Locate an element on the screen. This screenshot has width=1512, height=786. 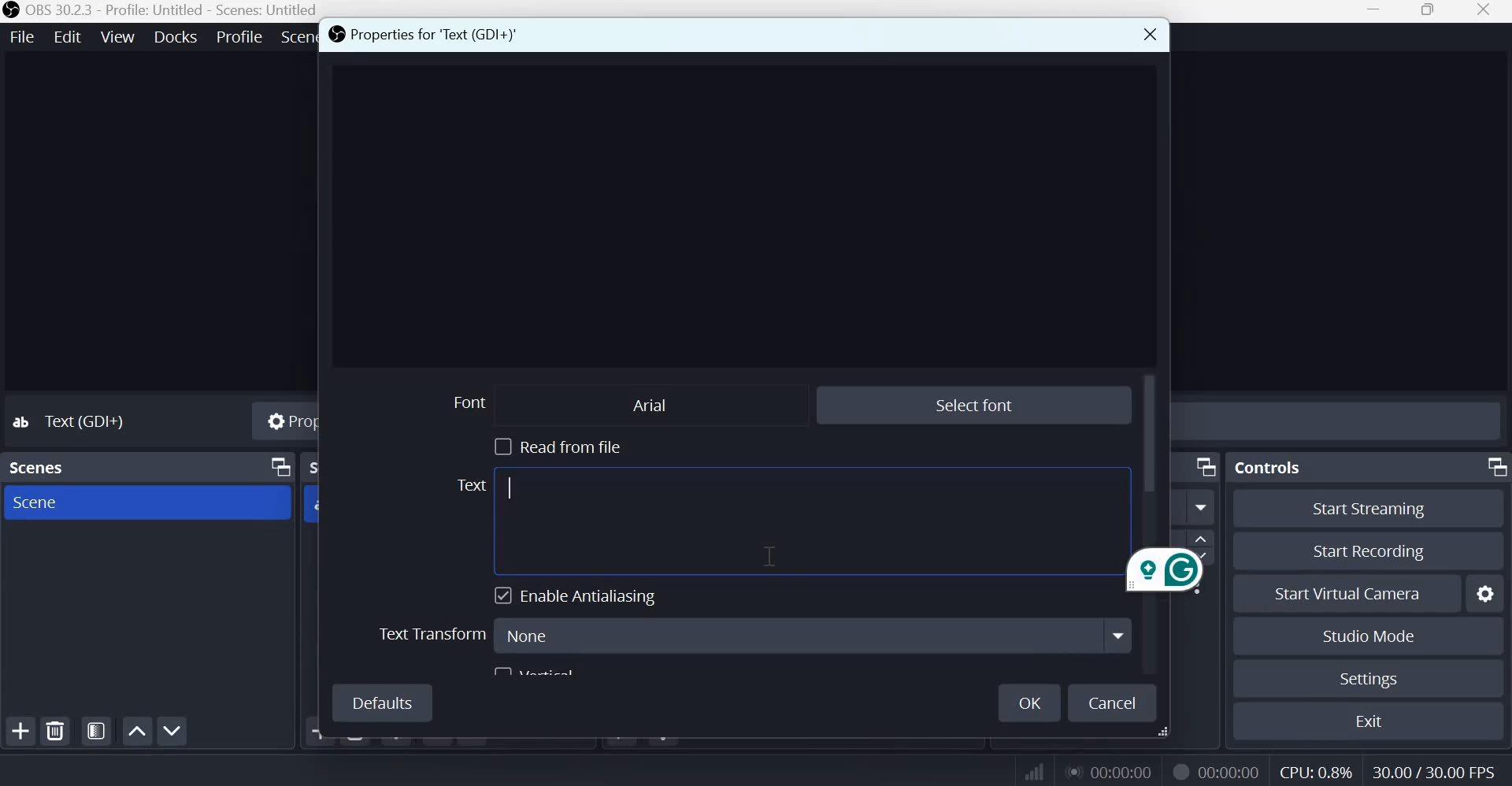
vertical is located at coordinates (541, 670).